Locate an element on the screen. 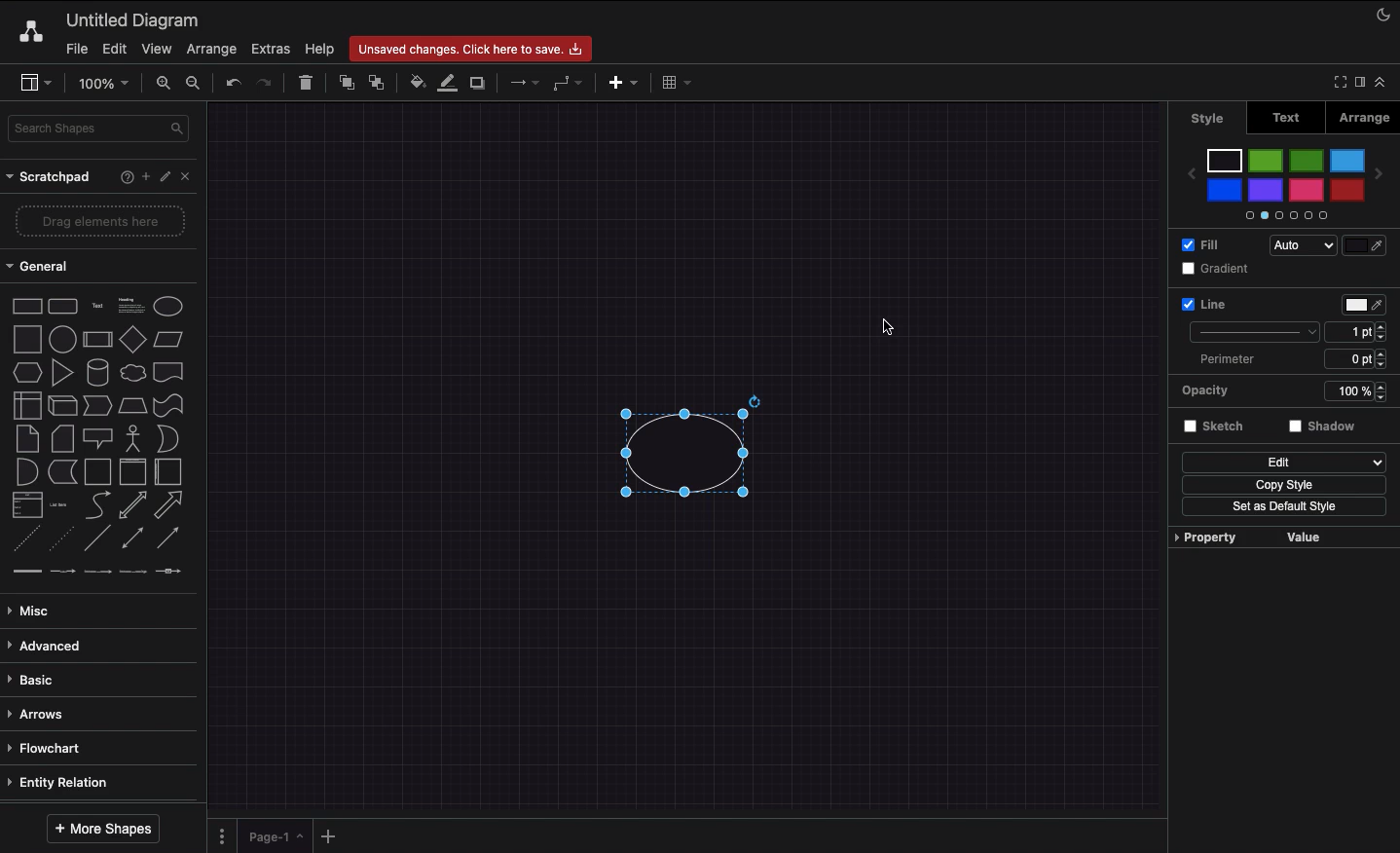  Bidirectional arrow is located at coordinates (132, 504).